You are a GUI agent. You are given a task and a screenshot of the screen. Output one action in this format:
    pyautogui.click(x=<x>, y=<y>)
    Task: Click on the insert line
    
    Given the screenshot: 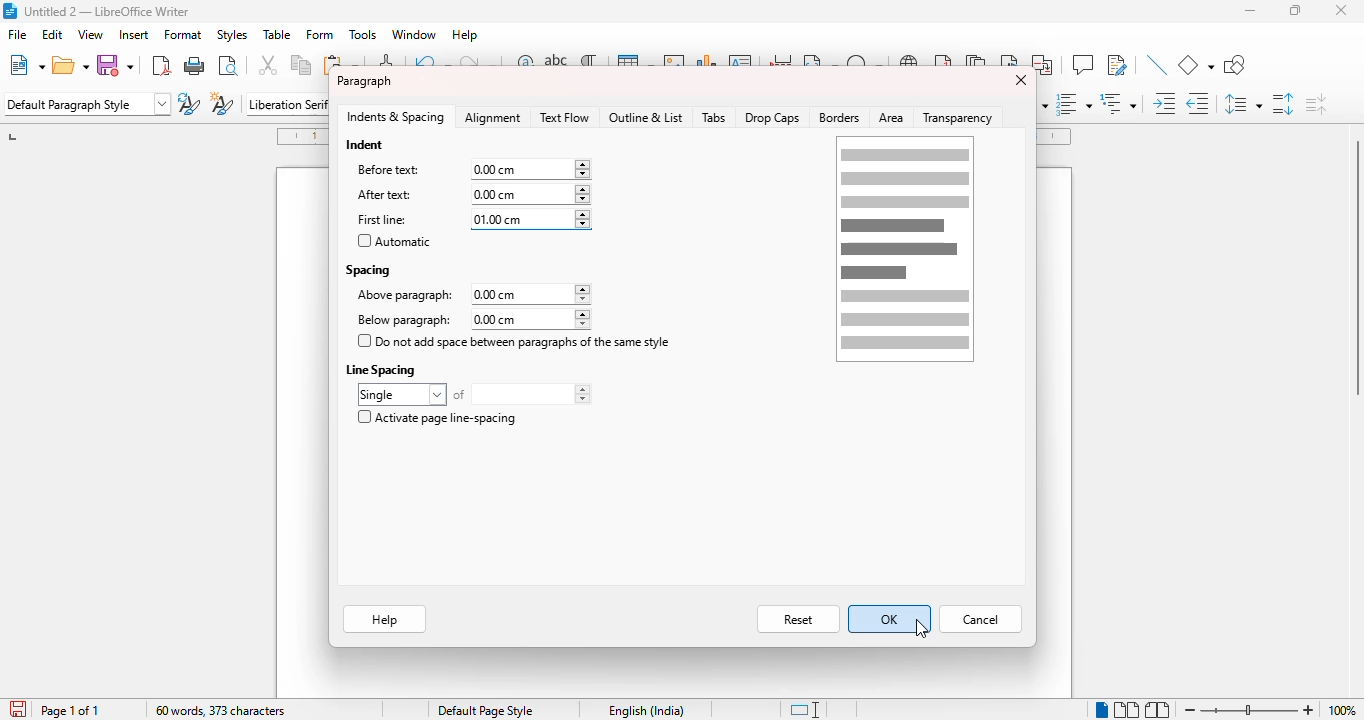 What is the action you would take?
    pyautogui.click(x=1157, y=65)
    